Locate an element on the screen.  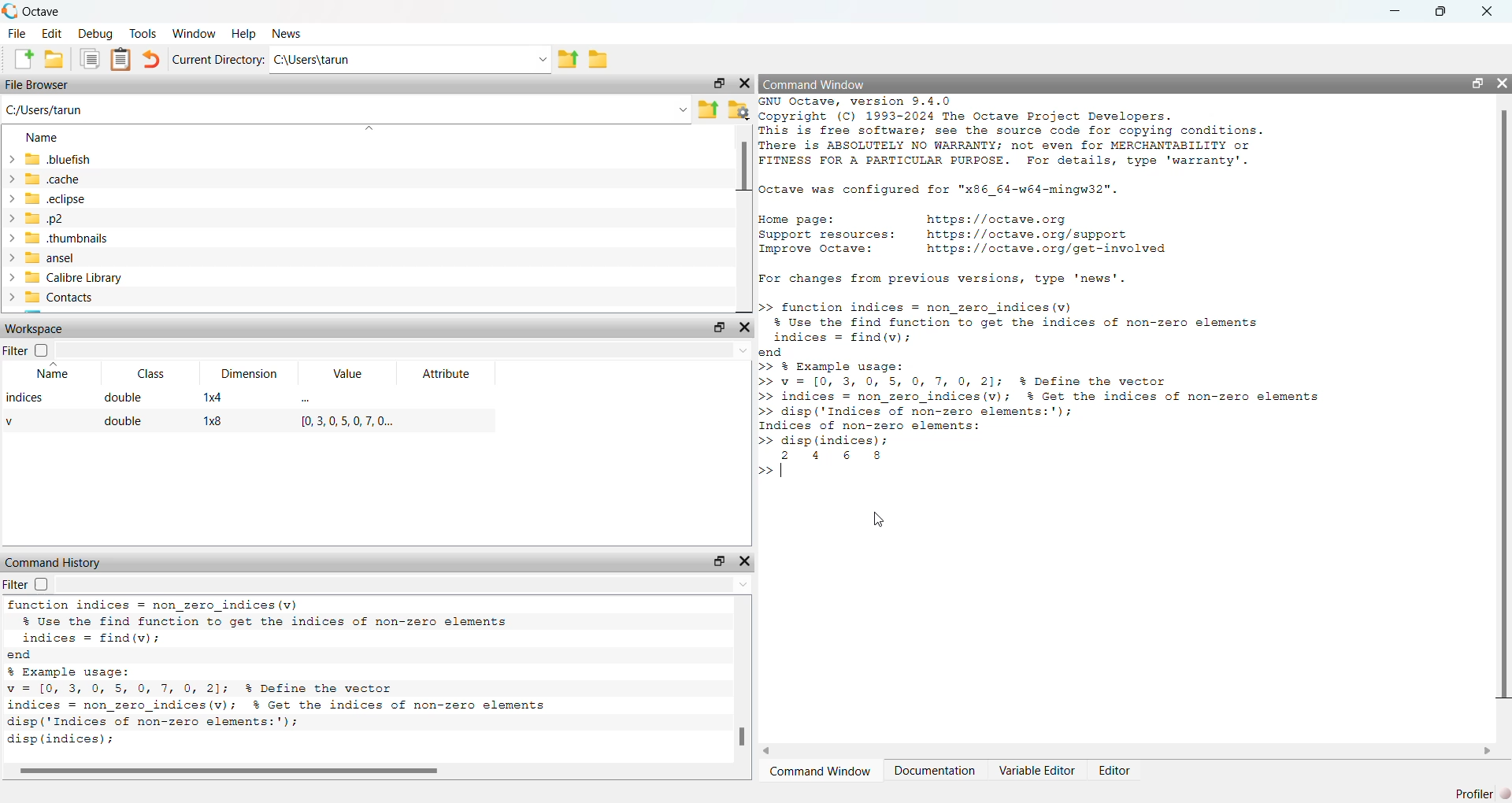
Current Directory: is located at coordinates (219, 58).